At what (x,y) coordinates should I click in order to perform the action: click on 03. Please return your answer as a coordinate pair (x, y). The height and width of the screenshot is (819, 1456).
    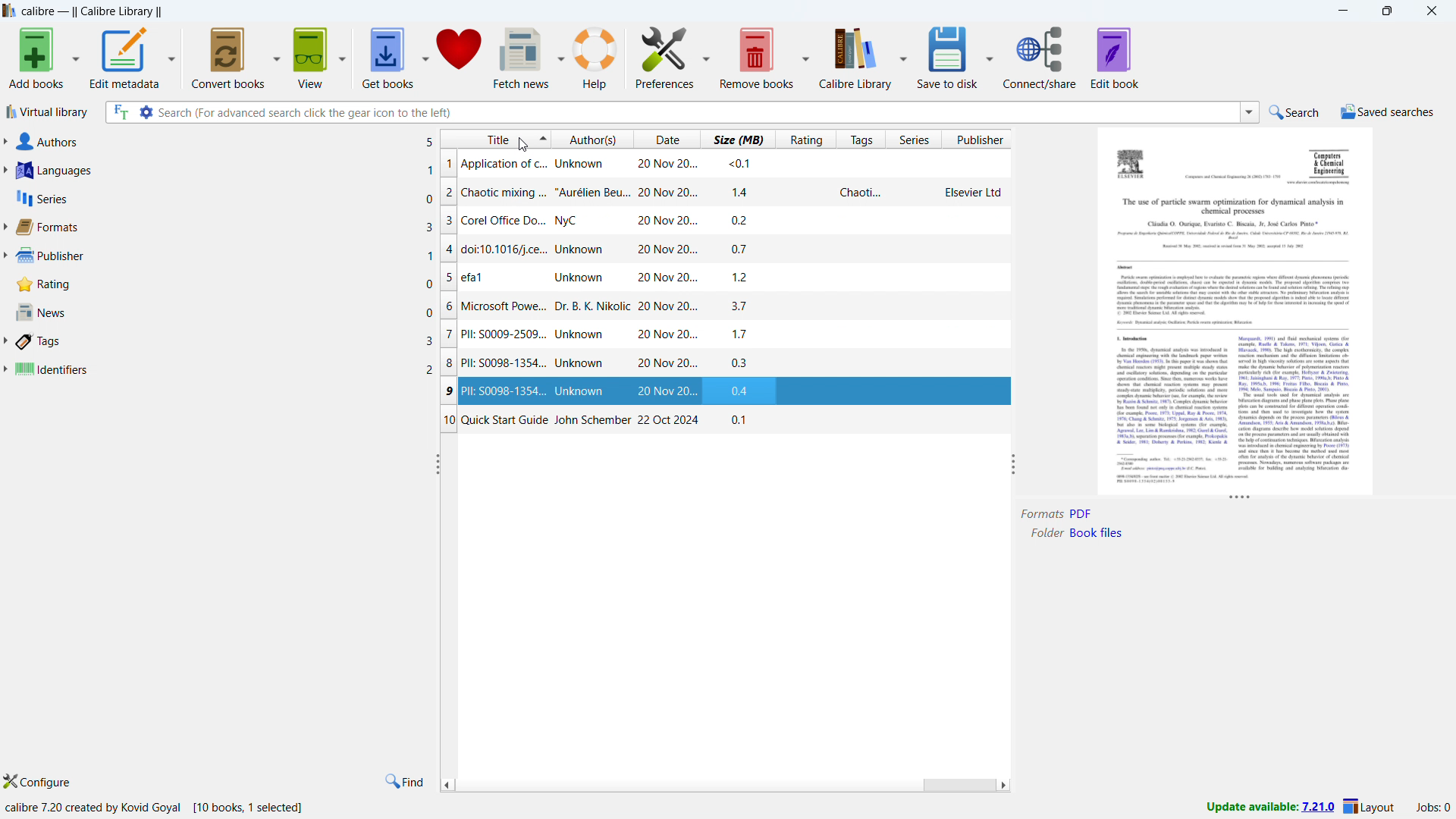
    Looking at the image, I should click on (748, 364).